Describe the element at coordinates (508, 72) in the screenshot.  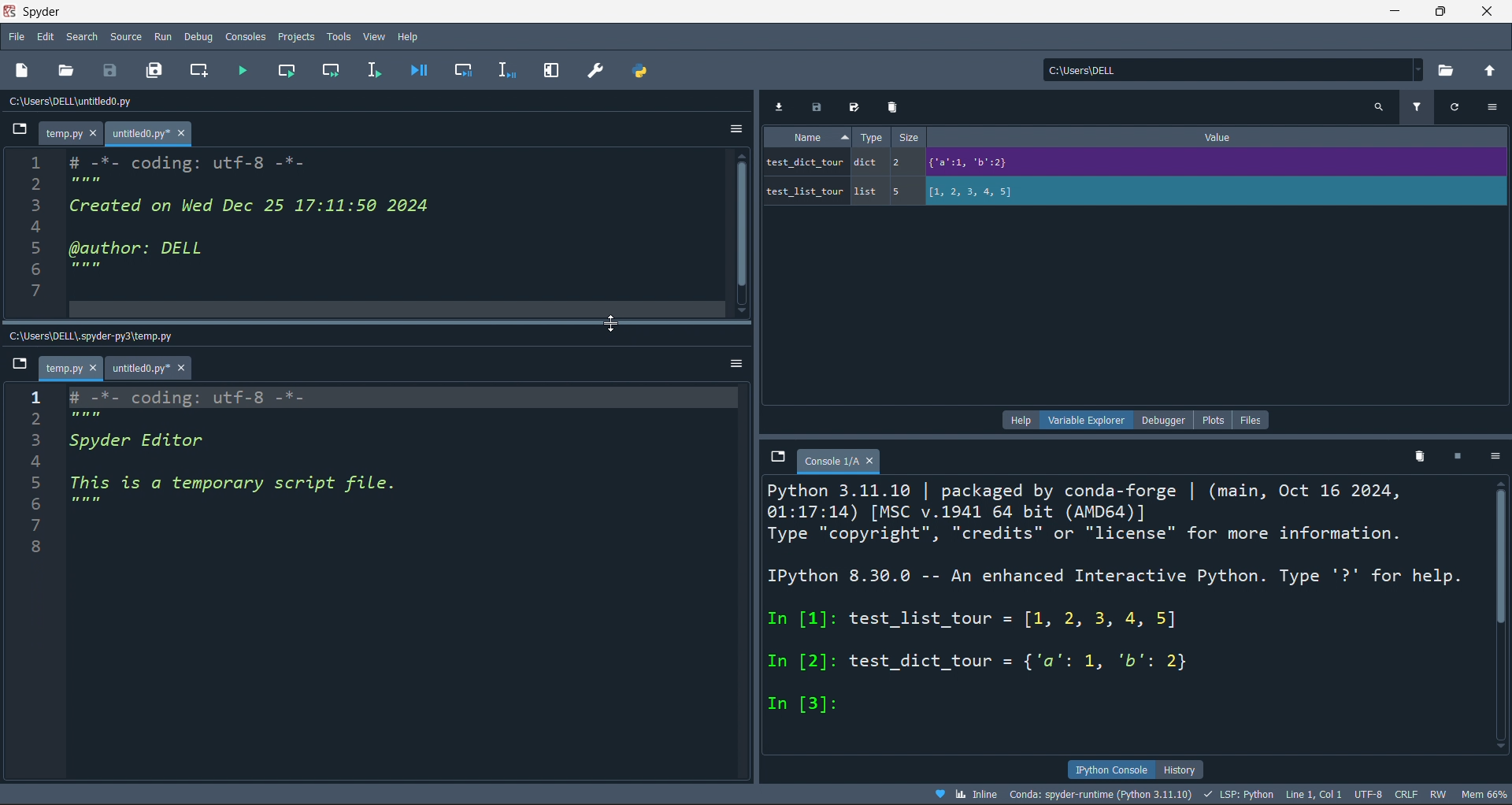
I see `debug line` at that location.